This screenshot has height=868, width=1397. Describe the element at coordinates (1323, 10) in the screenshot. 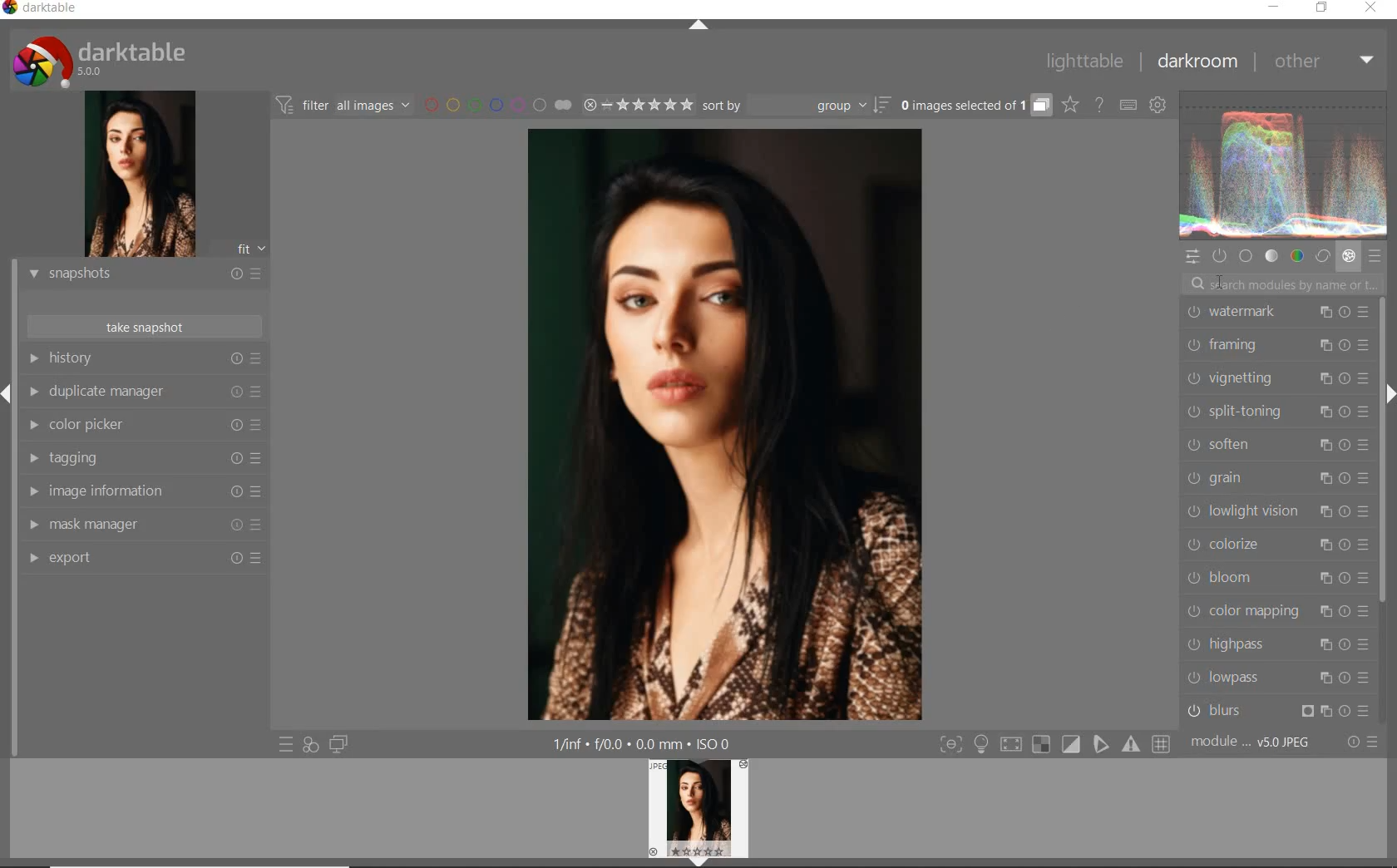

I see `restore` at that location.